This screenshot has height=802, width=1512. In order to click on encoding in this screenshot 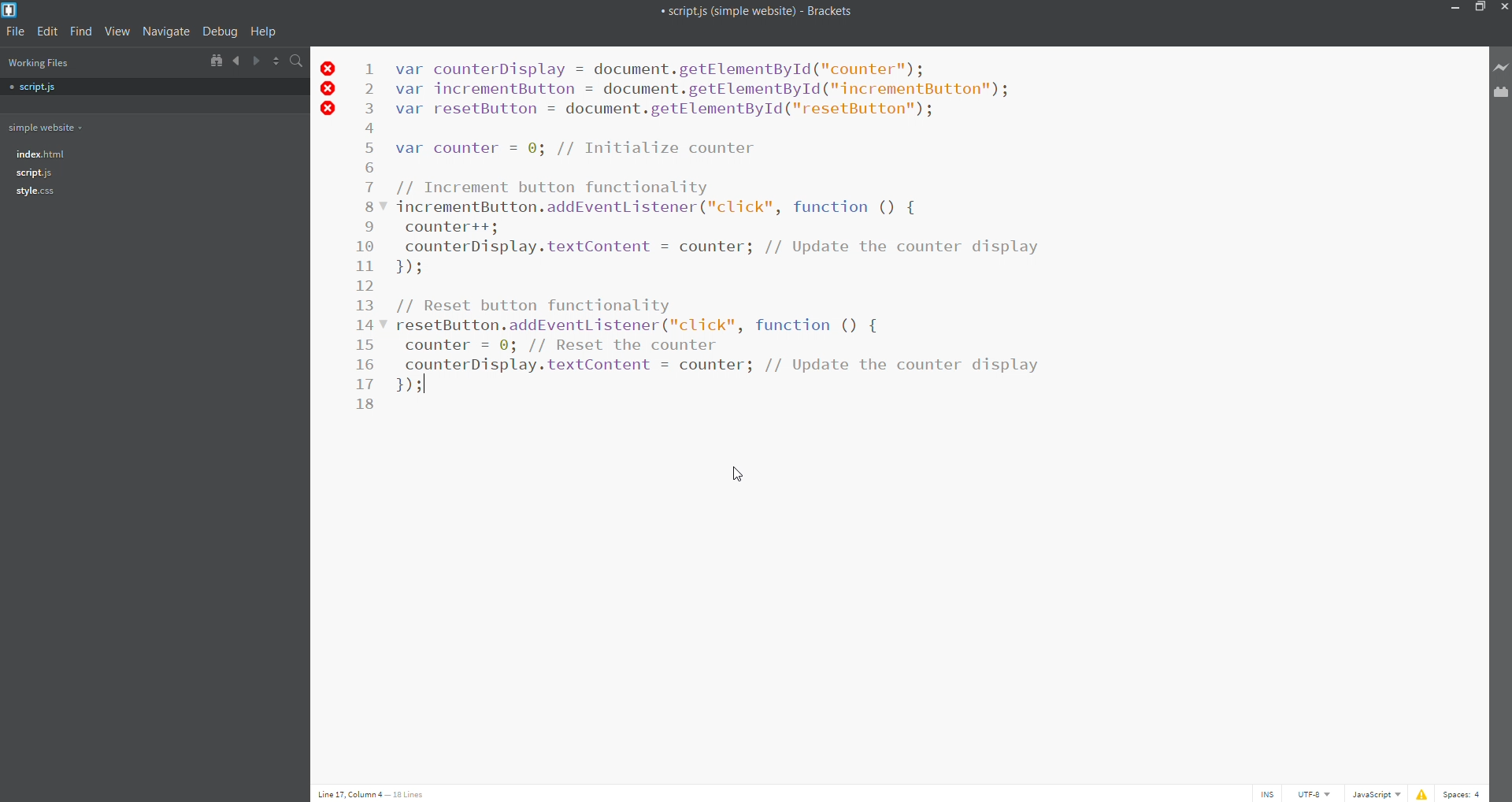, I will do `click(1314, 794)`.